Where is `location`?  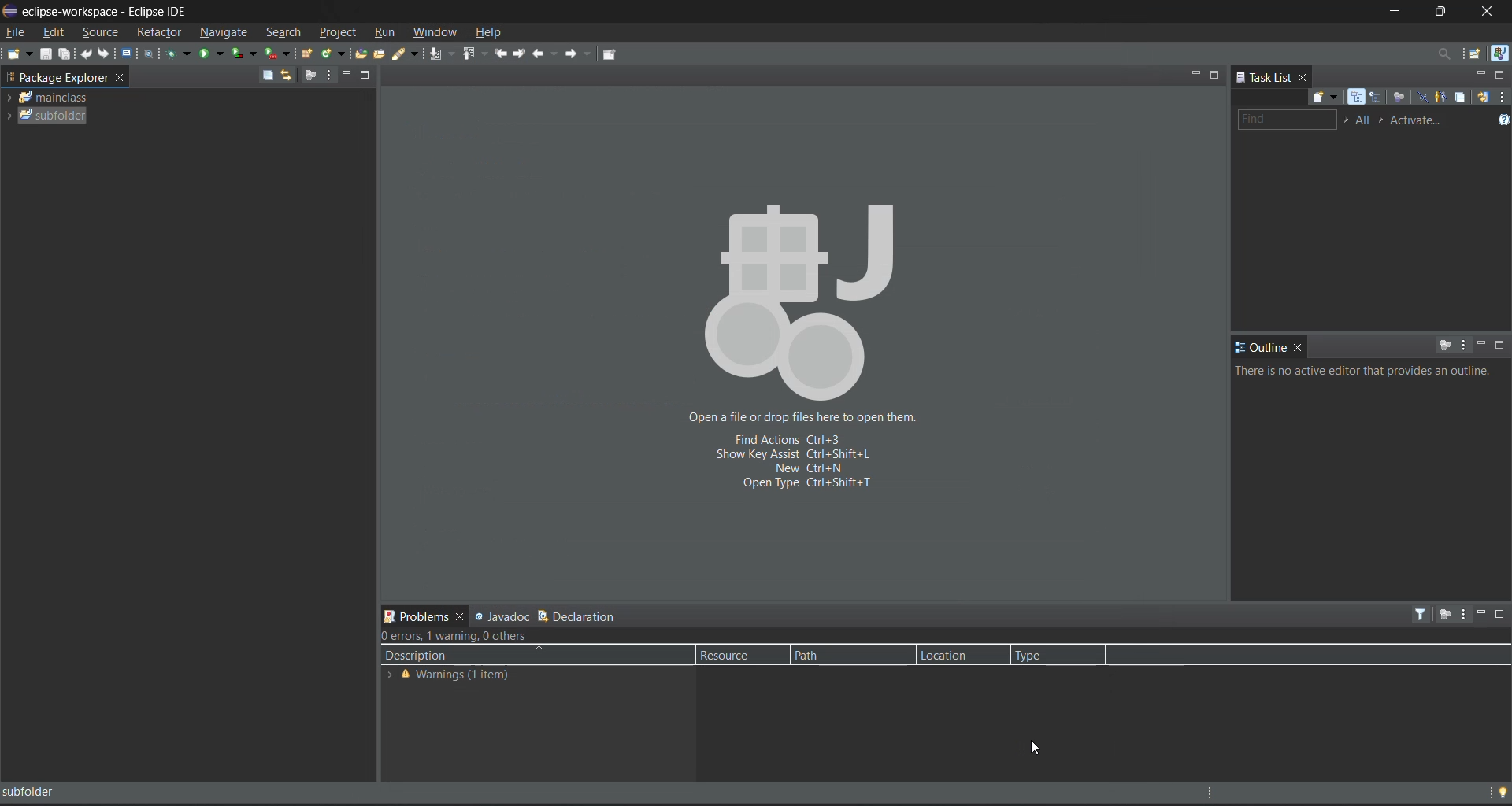 location is located at coordinates (955, 654).